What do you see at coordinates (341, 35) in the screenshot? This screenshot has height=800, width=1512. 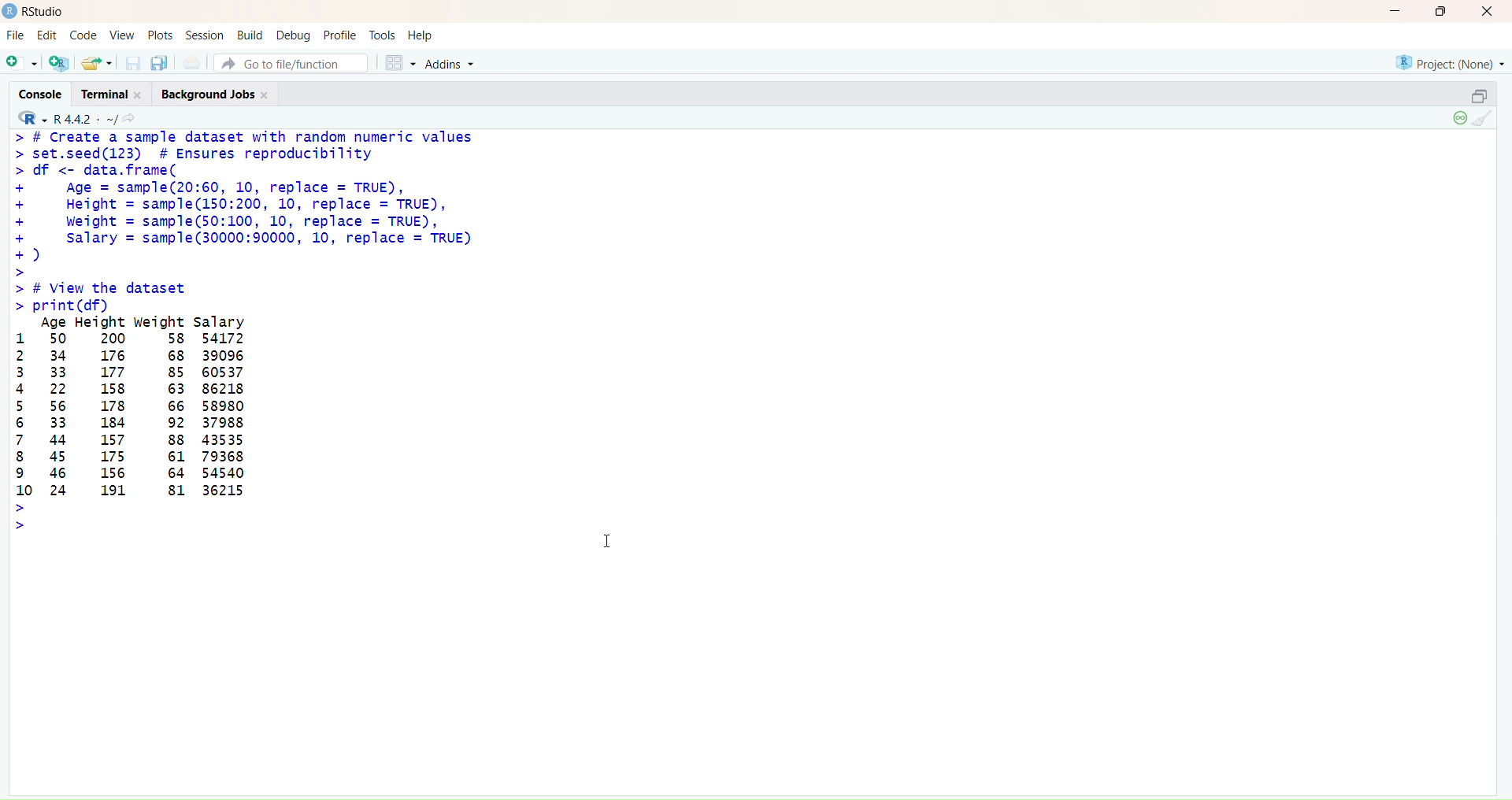 I see `Profile` at bounding box center [341, 35].